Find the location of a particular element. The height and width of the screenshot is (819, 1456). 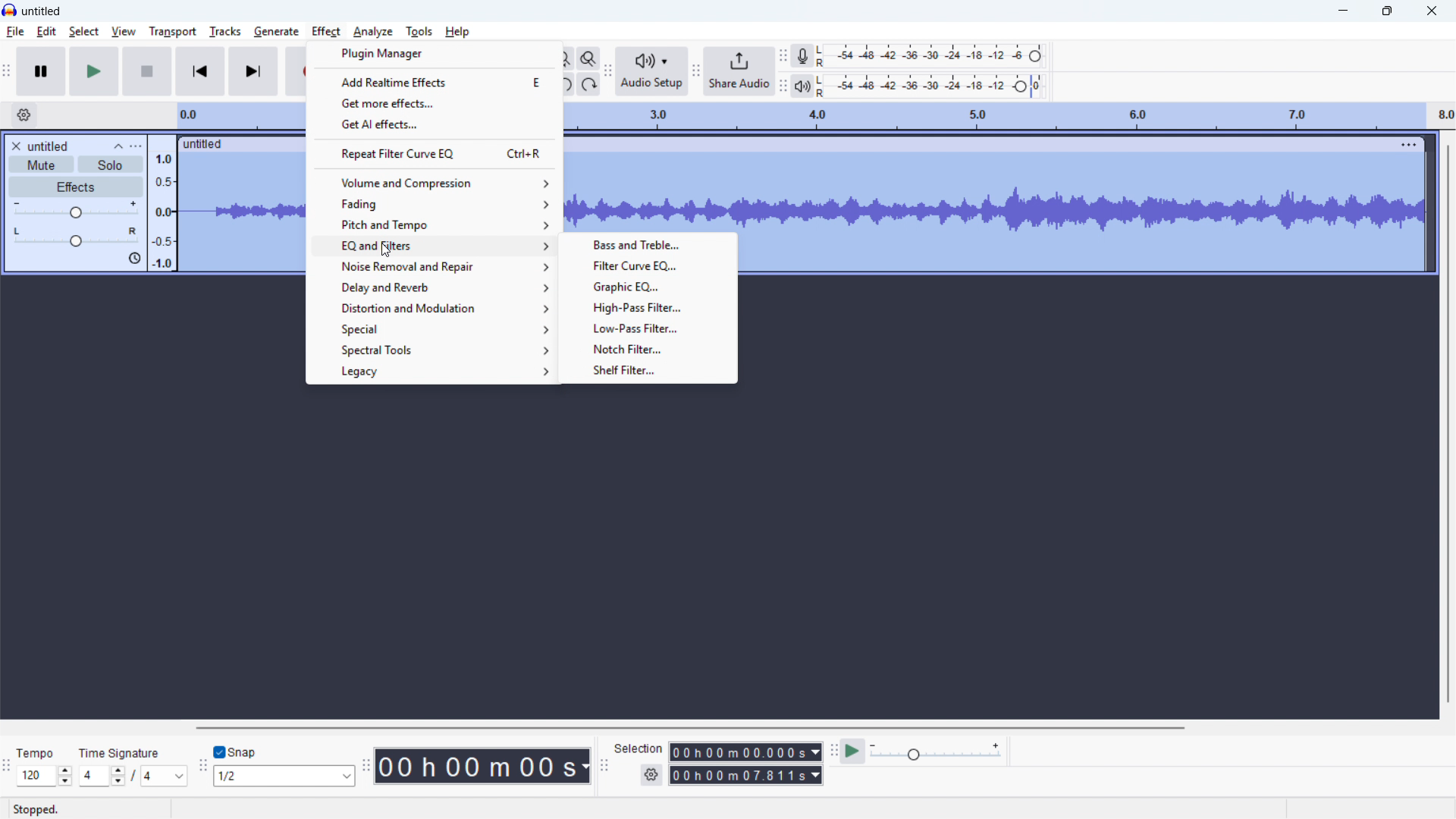

record is located at coordinates (297, 72).